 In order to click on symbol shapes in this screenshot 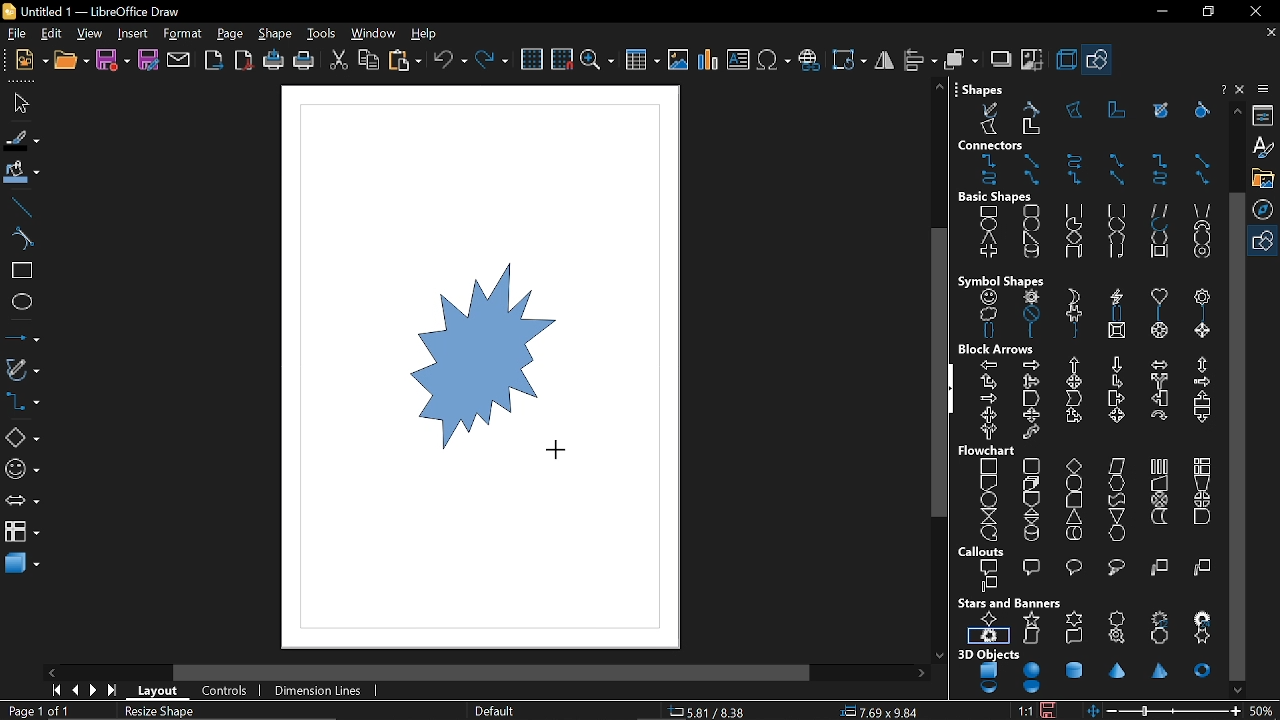, I will do `click(20, 472)`.